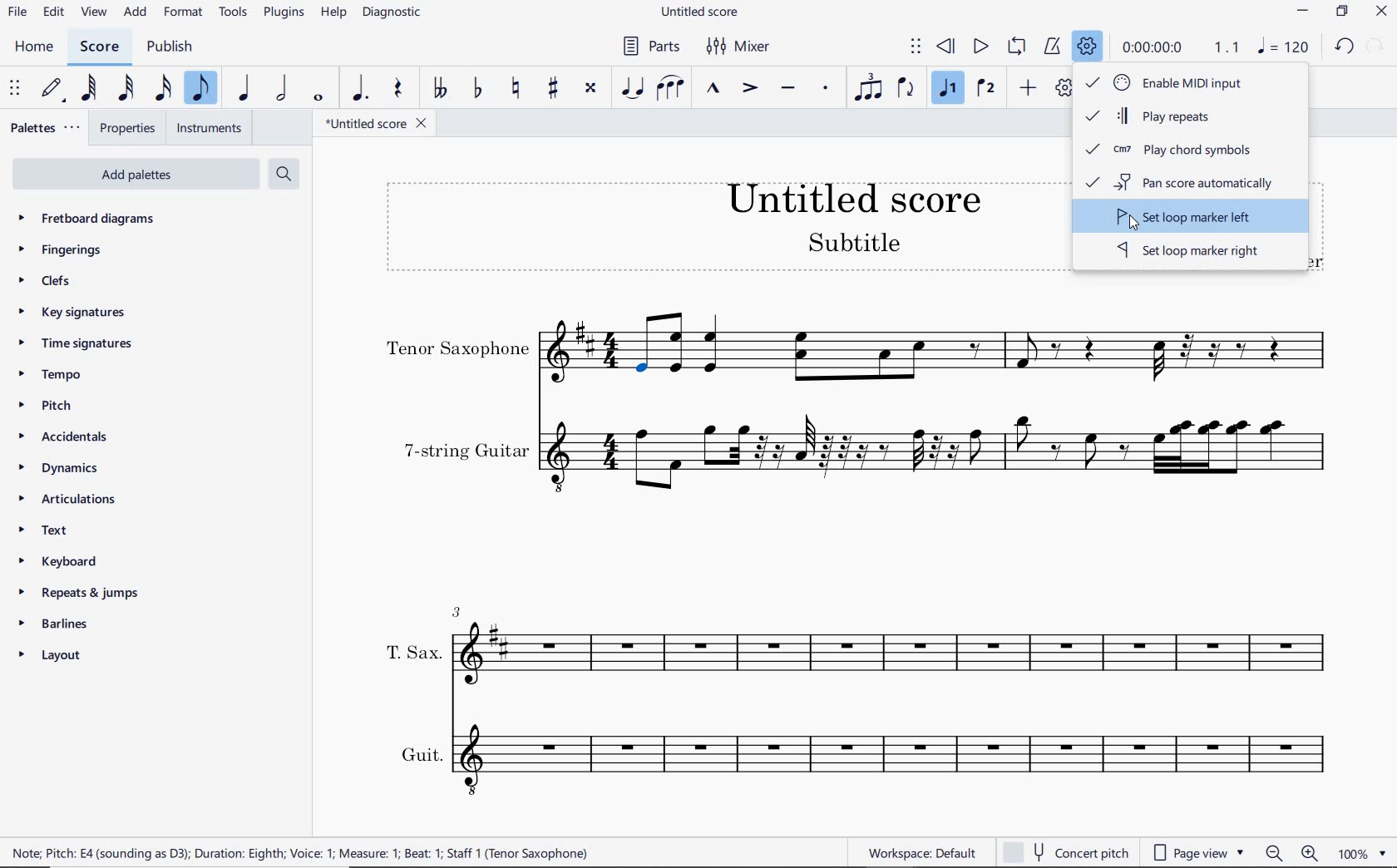  What do you see at coordinates (787, 90) in the screenshot?
I see `TENUTO` at bounding box center [787, 90].